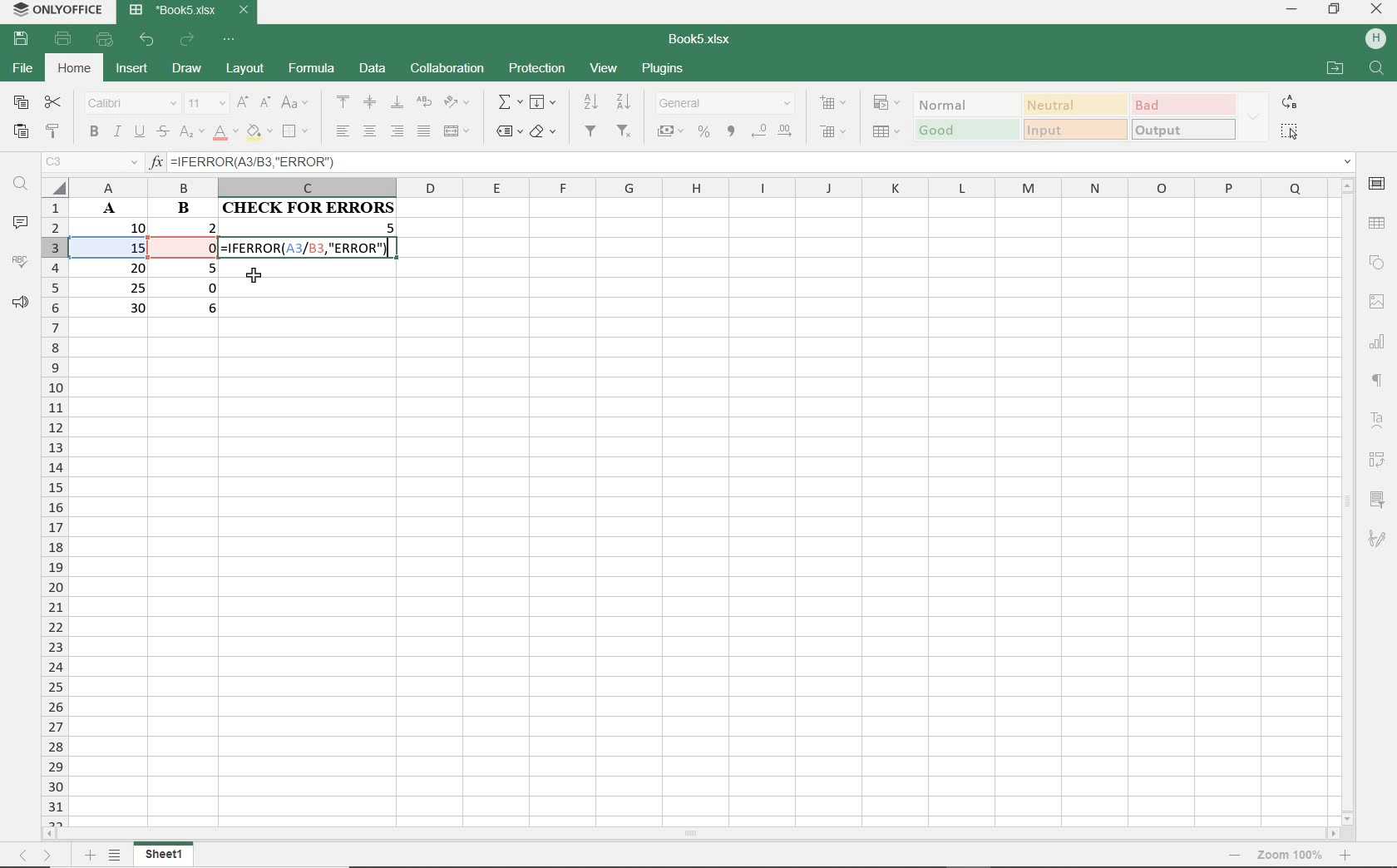  Describe the element at coordinates (116, 133) in the screenshot. I see `ITALIC` at that location.